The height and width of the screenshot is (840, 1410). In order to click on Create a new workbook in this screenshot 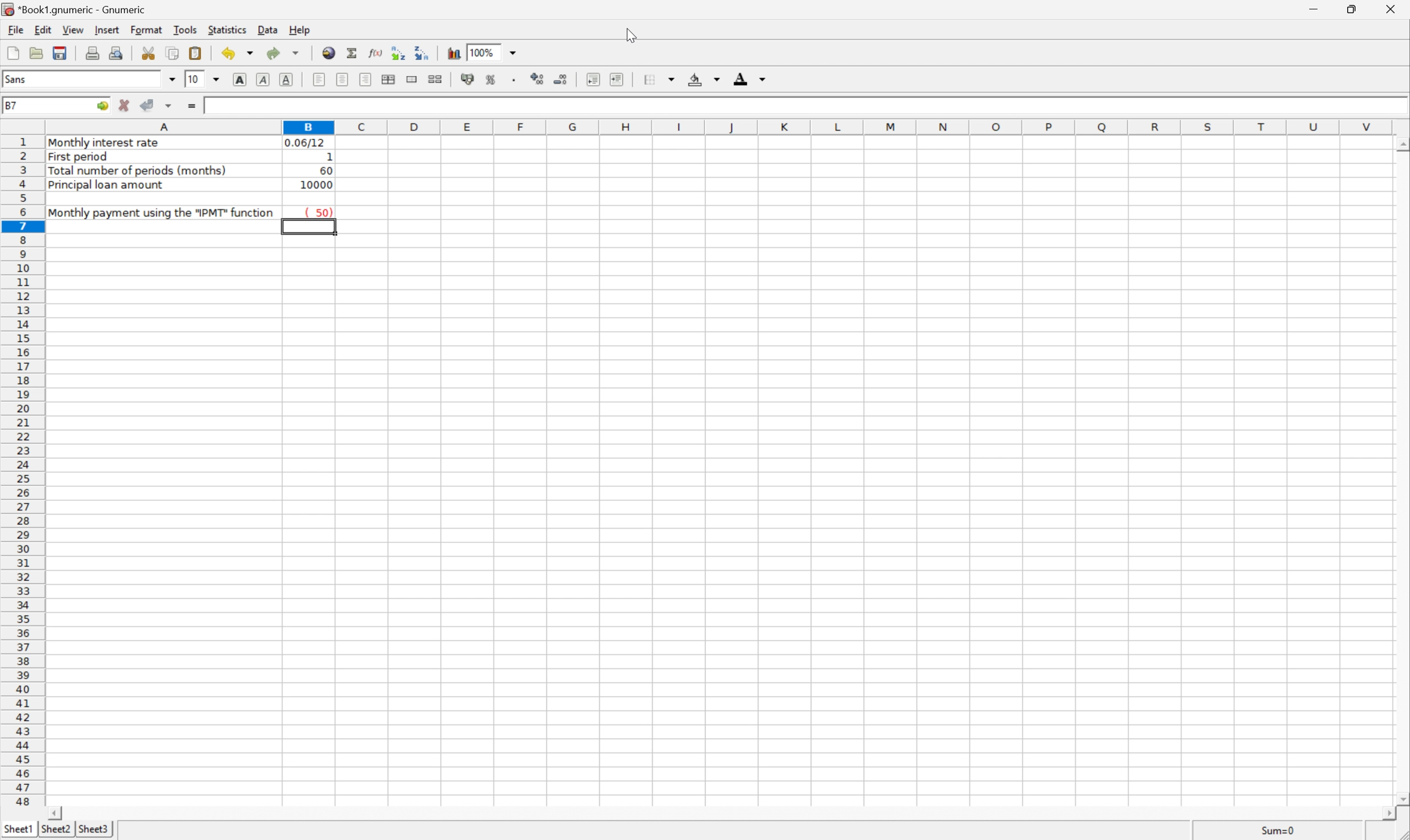, I will do `click(11, 53)`.